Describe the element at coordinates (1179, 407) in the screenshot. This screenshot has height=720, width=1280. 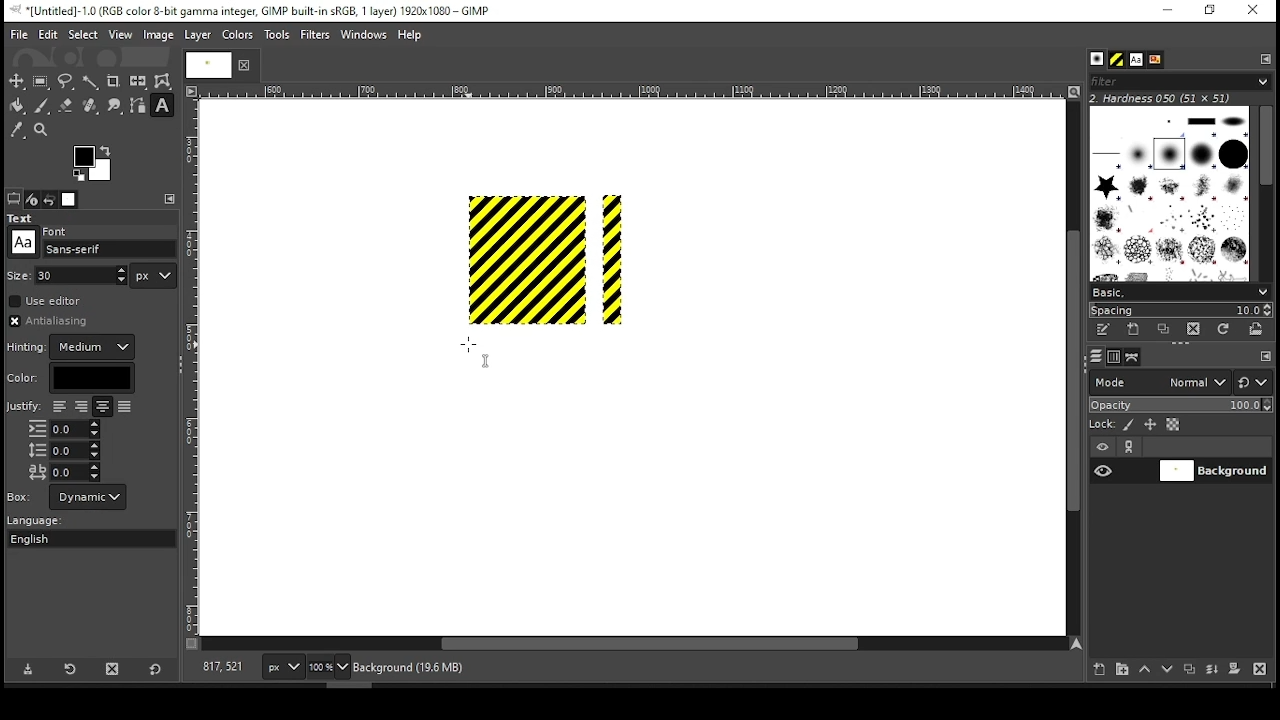
I see `opacity` at that location.